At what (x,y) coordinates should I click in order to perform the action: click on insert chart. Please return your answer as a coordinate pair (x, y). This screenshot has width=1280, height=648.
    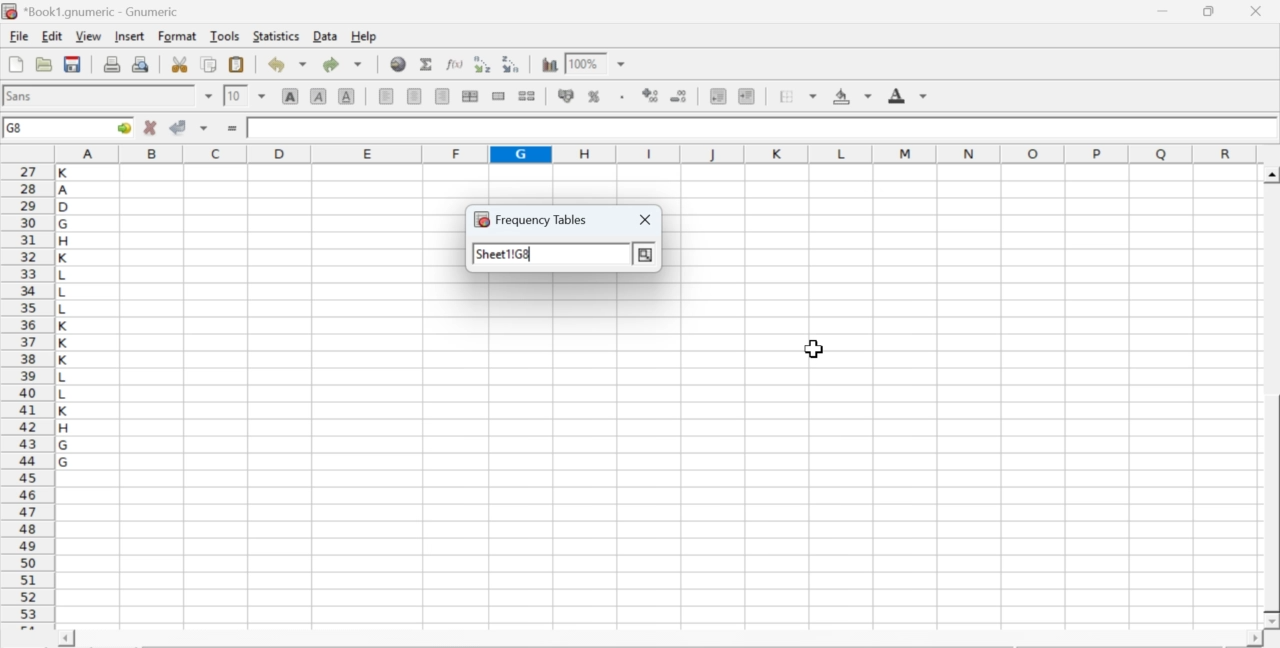
    Looking at the image, I should click on (550, 63).